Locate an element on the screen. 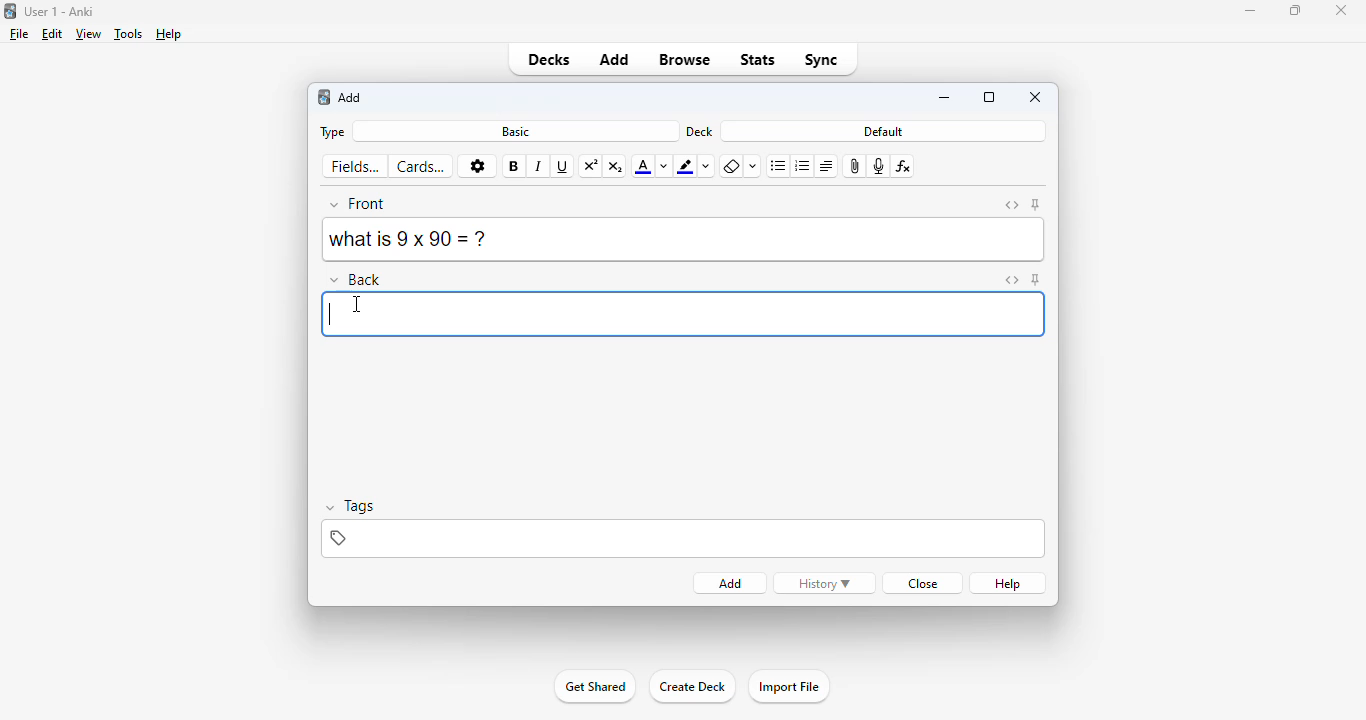  close is located at coordinates (920, 583).